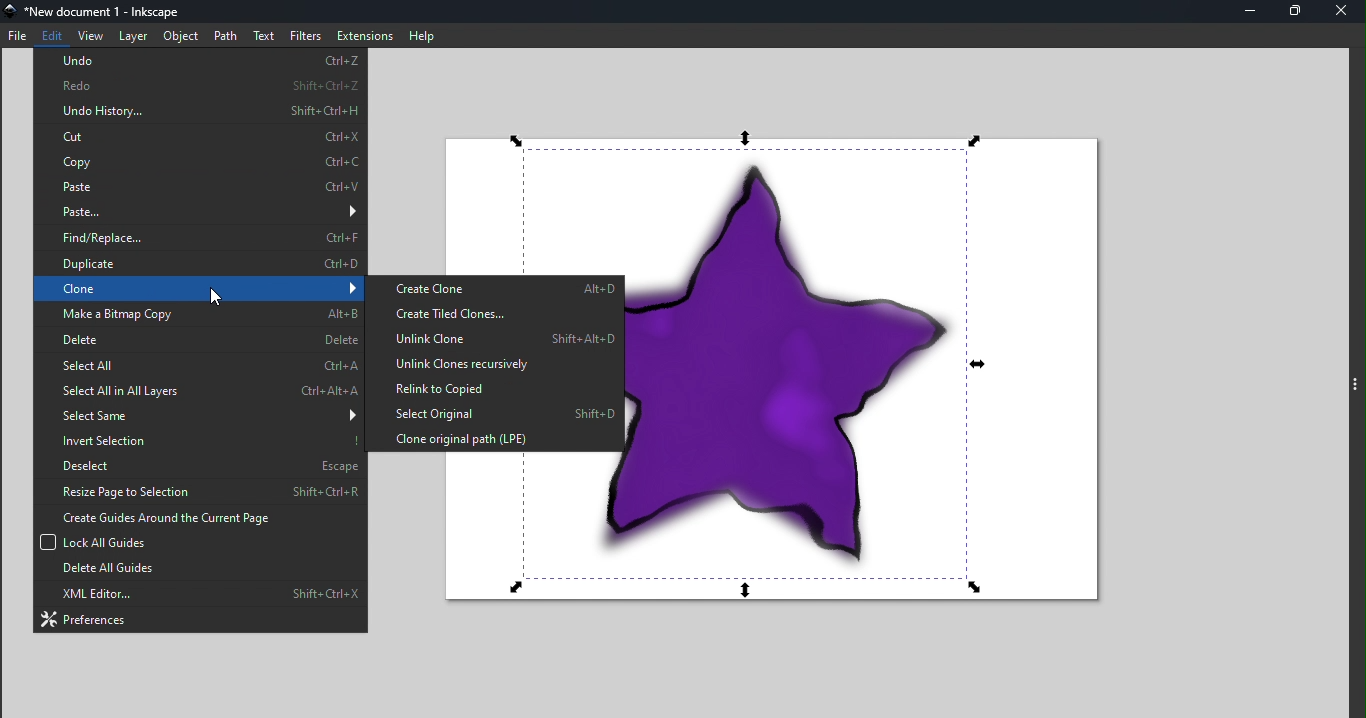 The width and height of the screenshot is (1366, 718). What do you see at coordinates (202, 60) in the screenshot?
I see `undo` at bounding box center [202, 60].